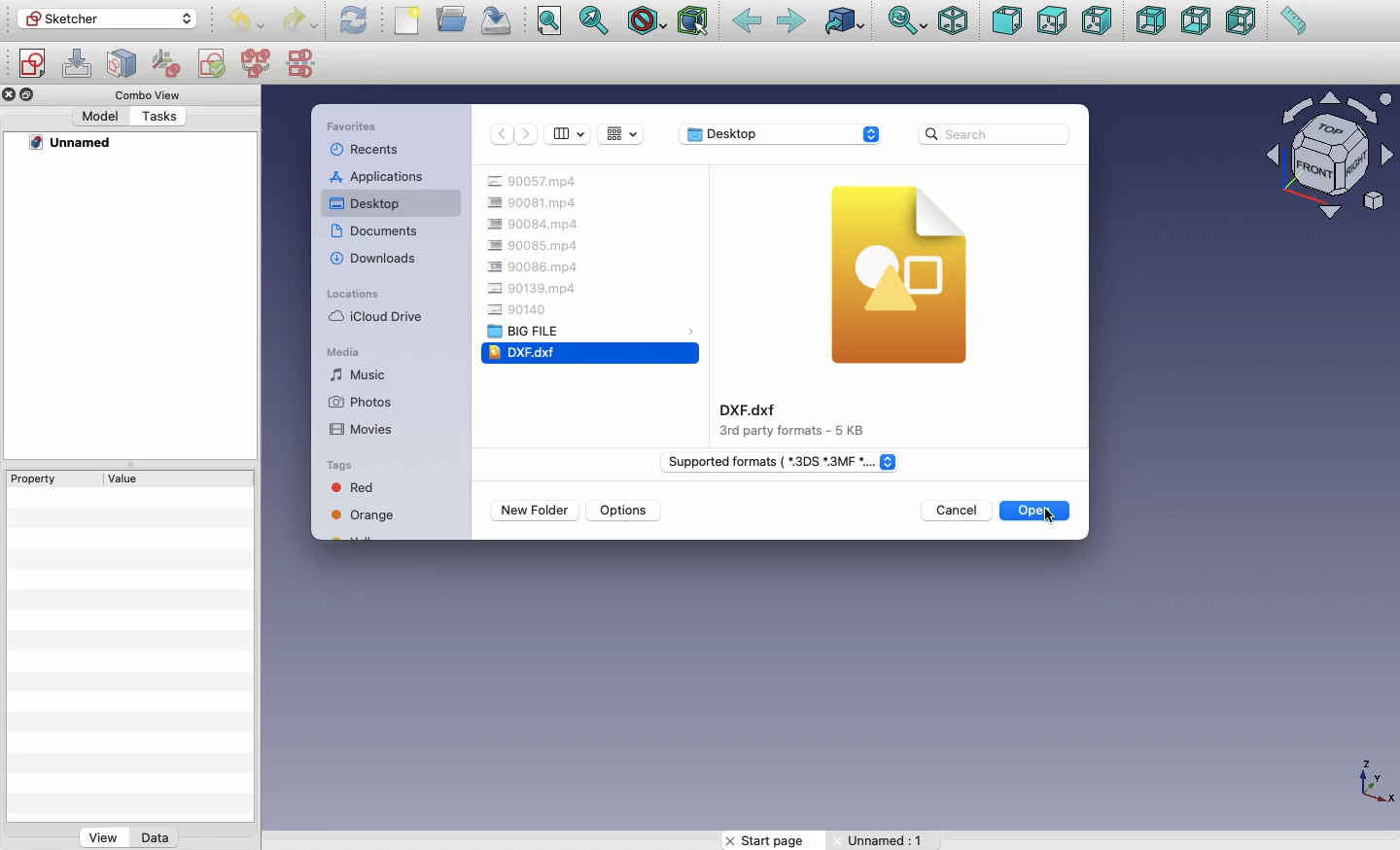 This screenshot has width=1400, height=850. I want to click on Downloads, so click(373, 260).